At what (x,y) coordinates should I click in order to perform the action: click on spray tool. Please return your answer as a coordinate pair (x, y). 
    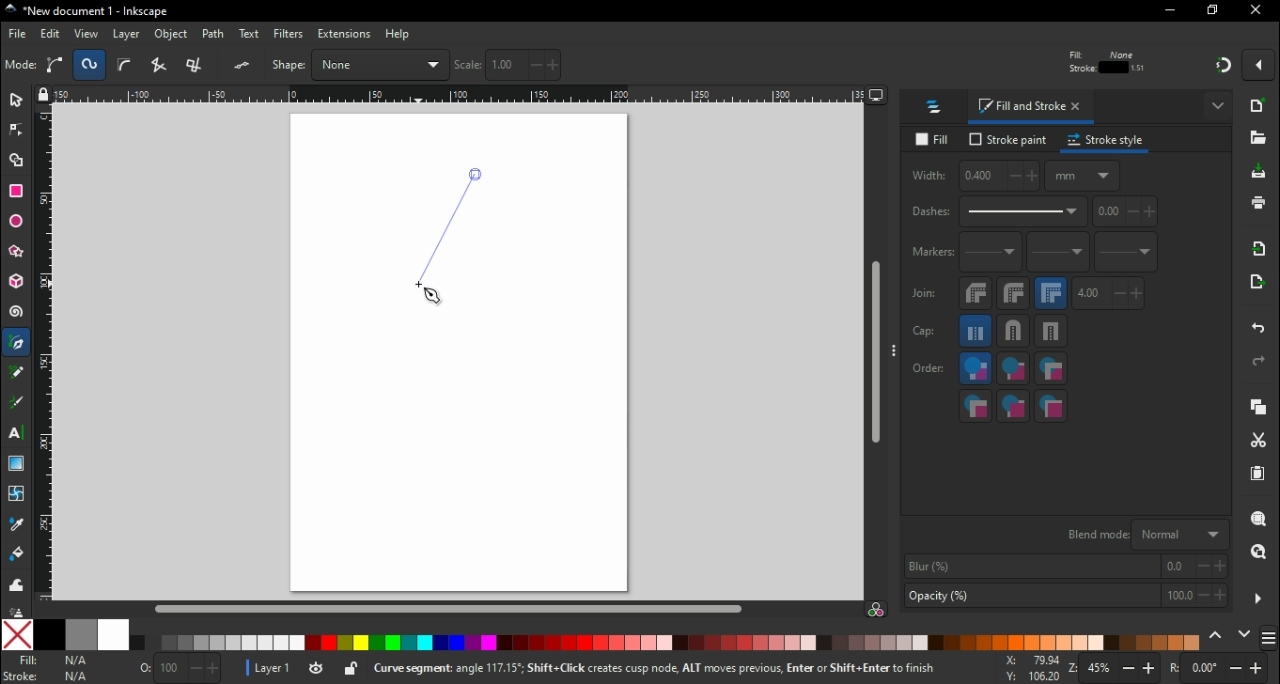
    Looking at the image, I should click on (14, 611).